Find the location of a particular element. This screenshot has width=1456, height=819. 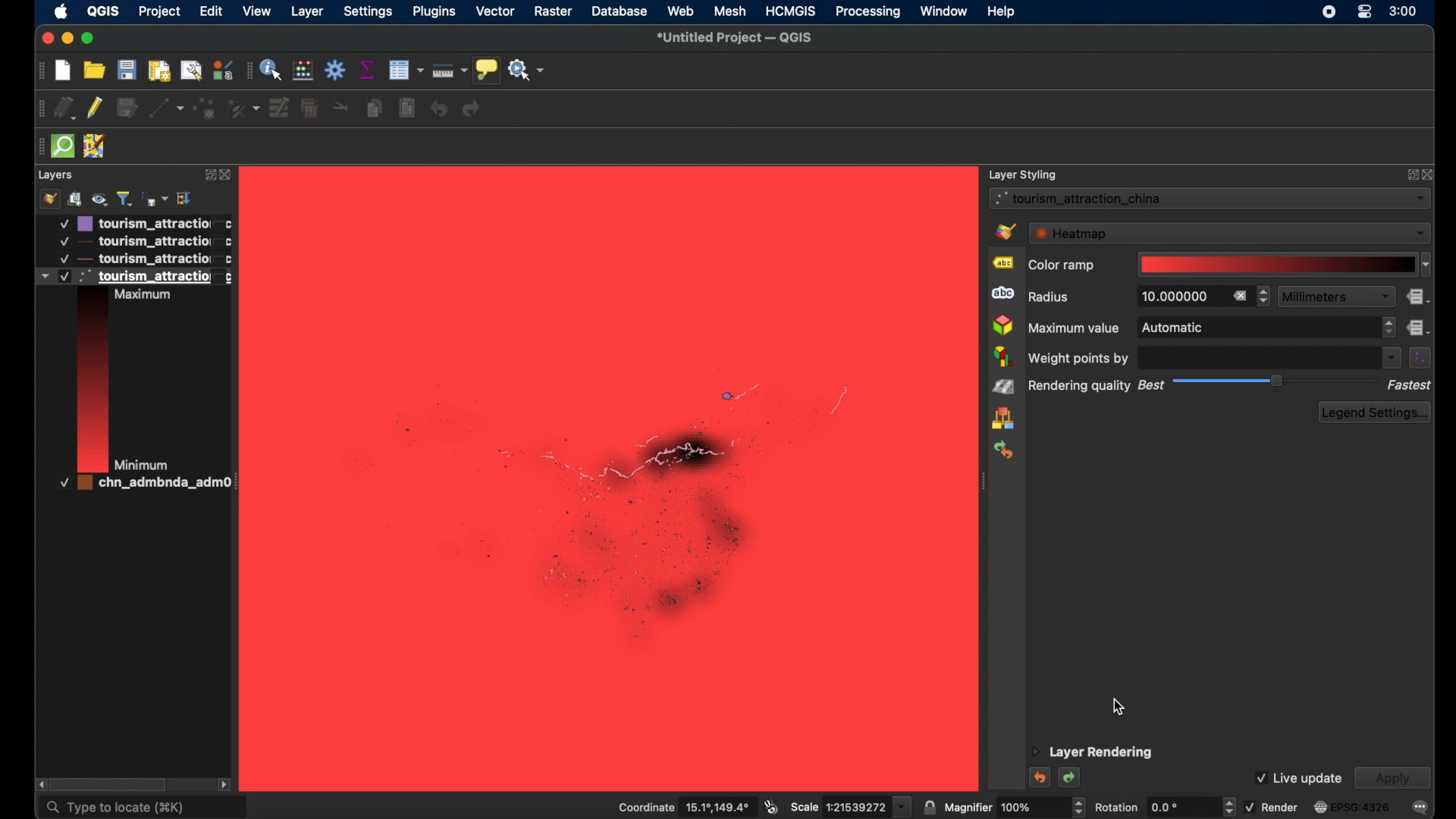

expand is located at coordinates (186, 198).